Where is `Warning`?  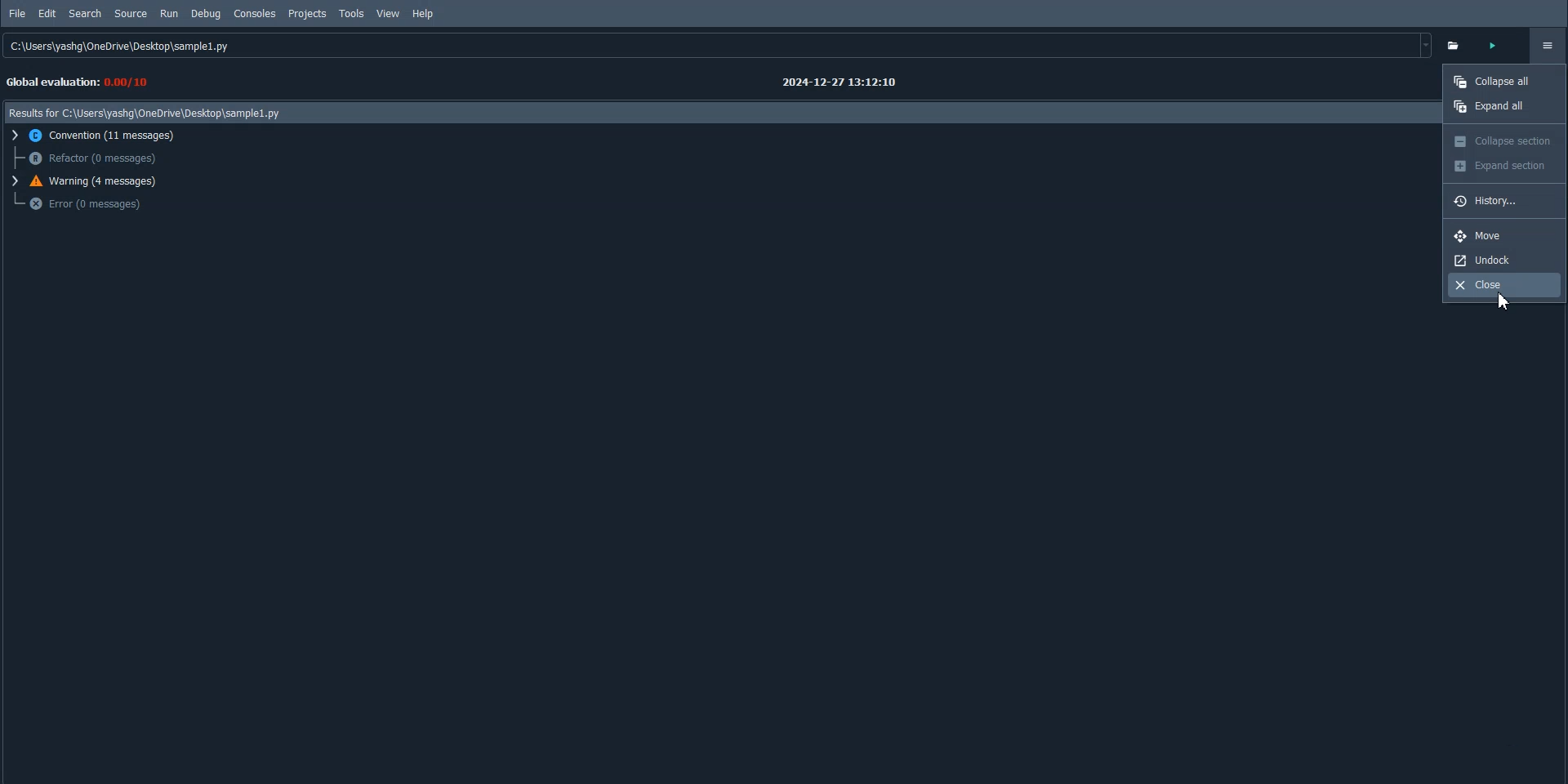 Warning is located at coordinates (91, 181).